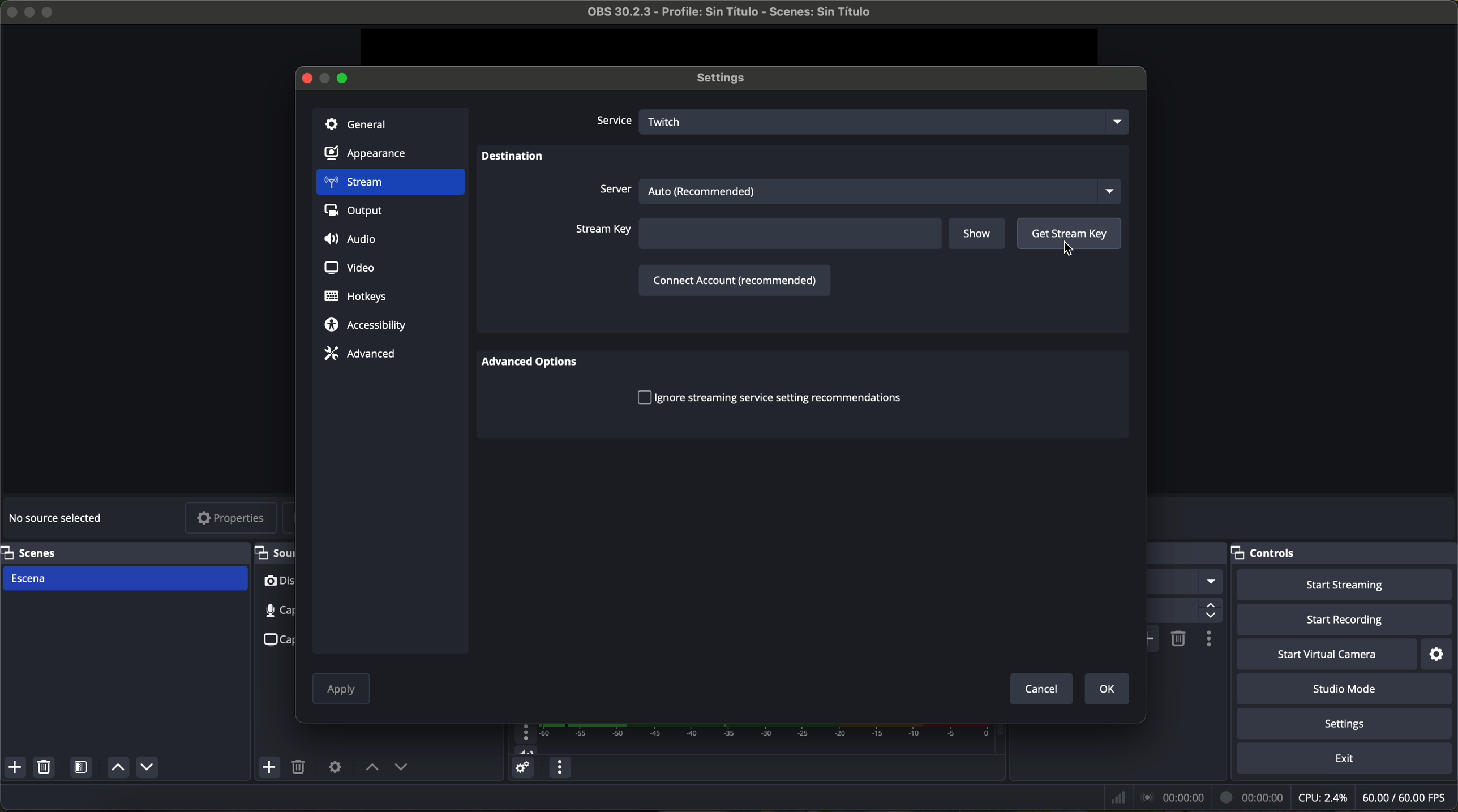 Image resolution: width=1458 pixels, height=812 pixels. Describe the element at coordinates (1327, 655) in the screenshot. I see `start virtual camera` at that location.